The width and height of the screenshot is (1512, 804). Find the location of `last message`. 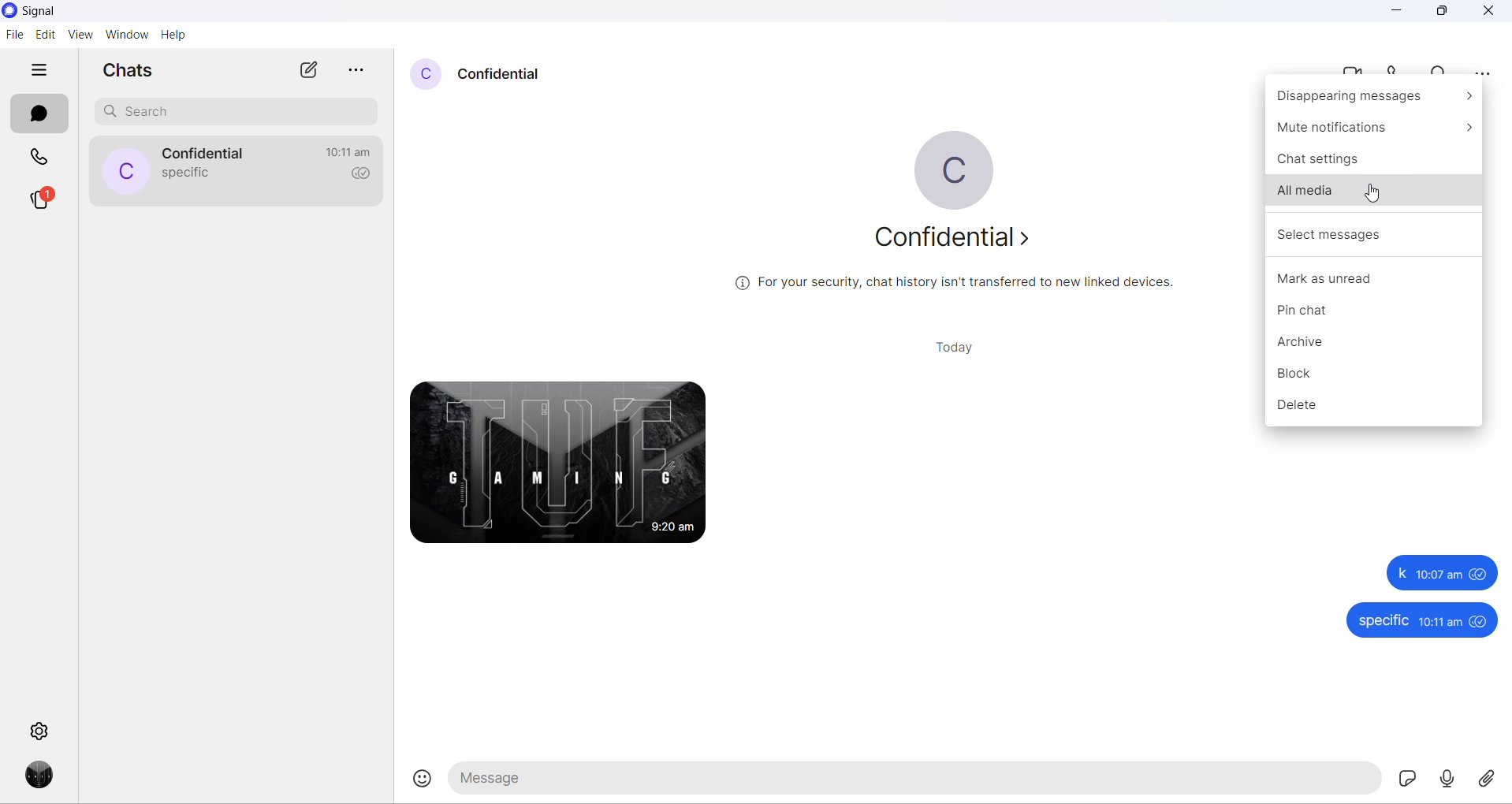

last message is located at coordinates (183, 175).